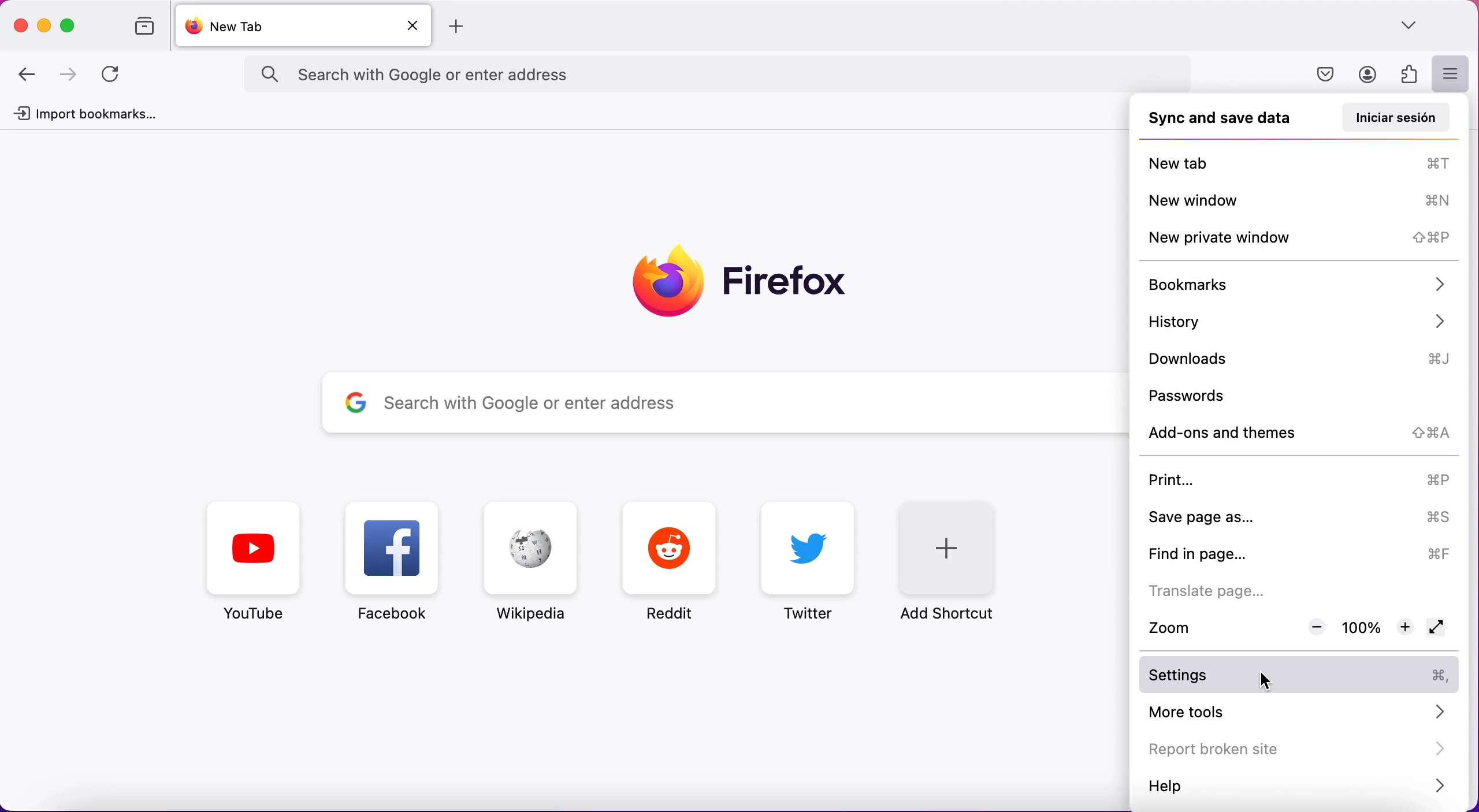 The image size is (1479, 812). I want to click on go forward one page, so click(70, 76).